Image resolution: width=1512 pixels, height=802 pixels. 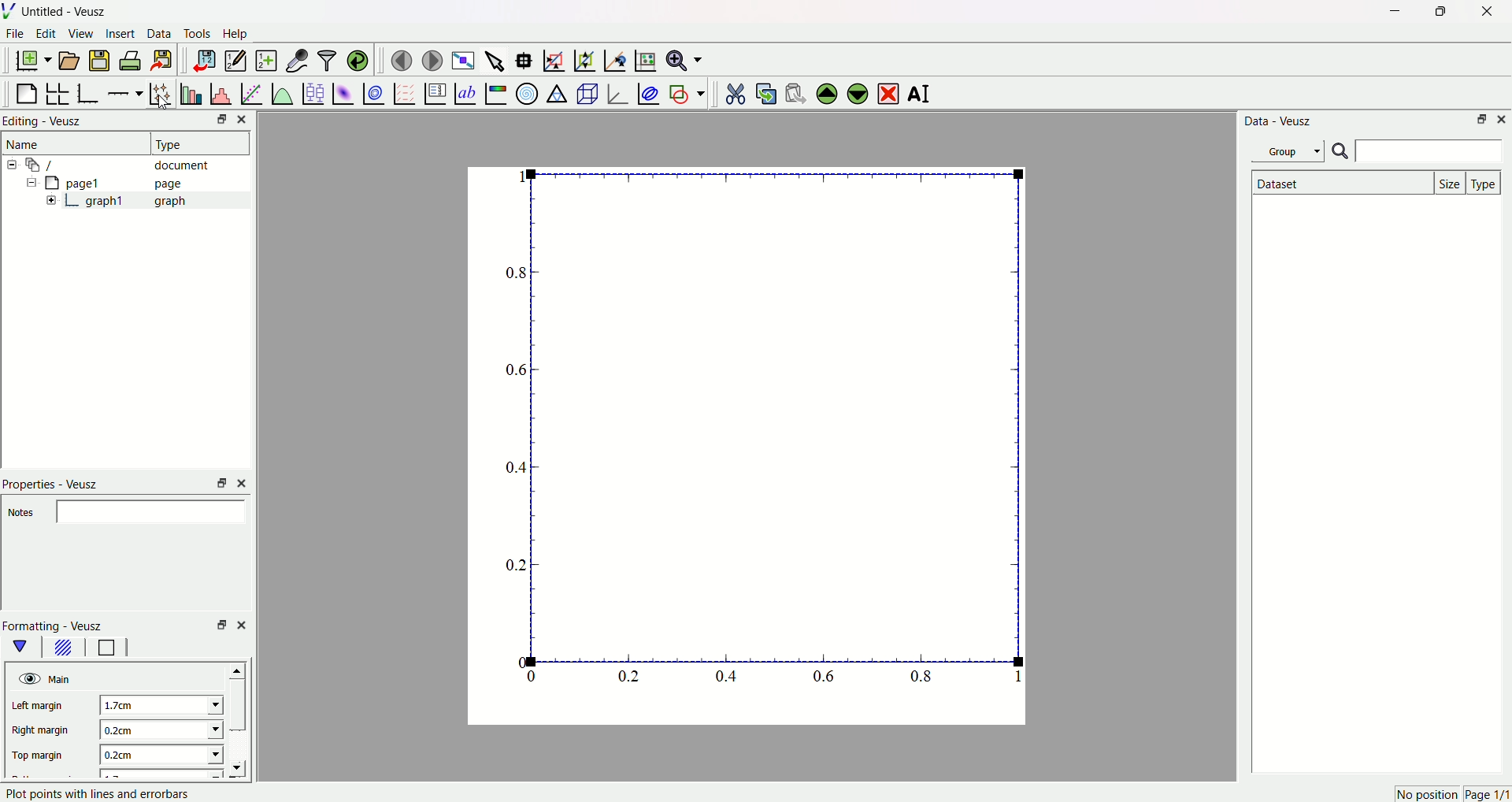 What do you see at coordinates (796, 91) in the screenshot?
I see `paste the widgets` at bounding box center [796, 91].